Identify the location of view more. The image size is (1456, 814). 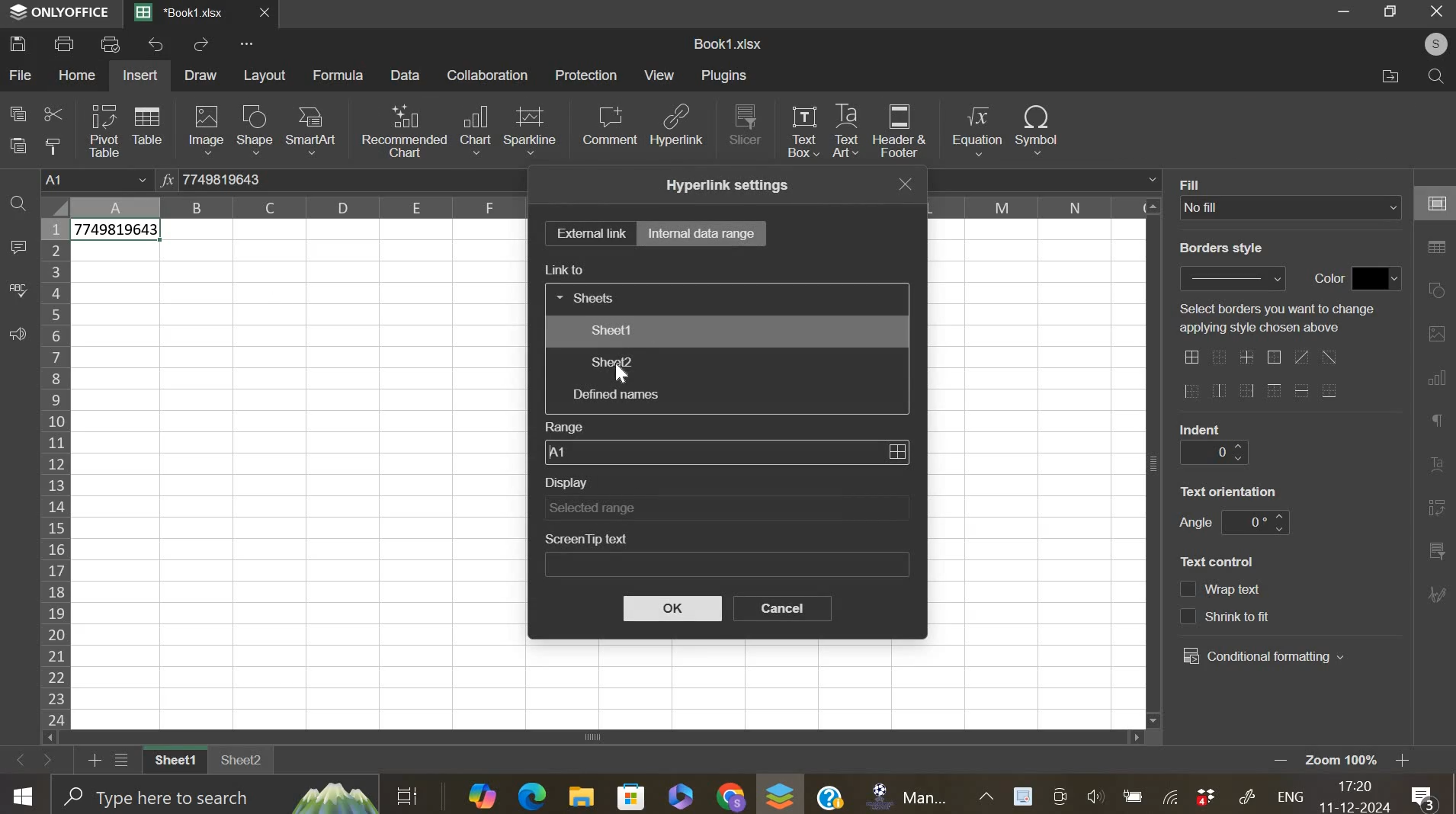
(252, 46).